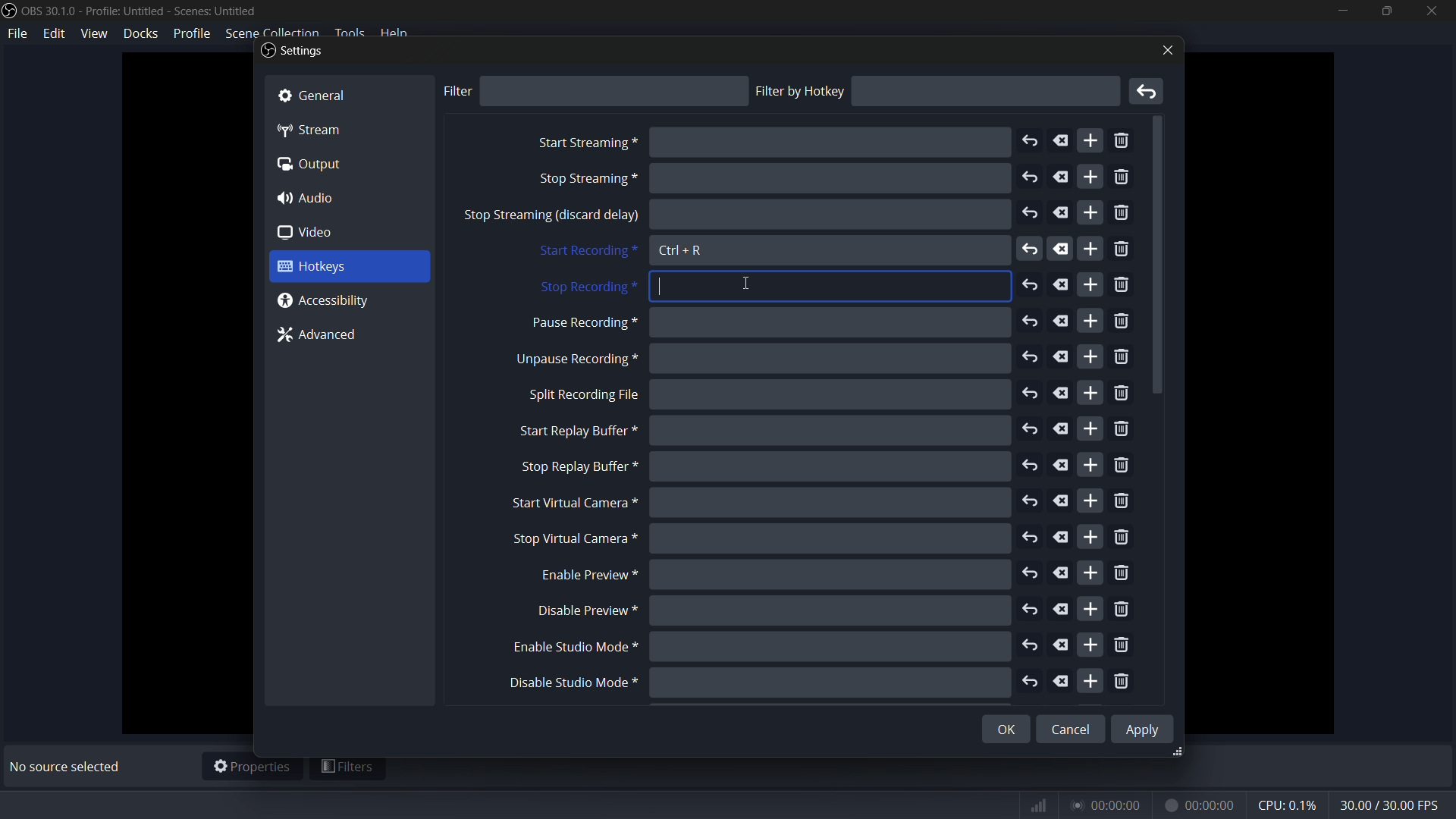 The width and height of the screenshot is (1456, 819). I want to click on delete, so click(1063, 249).